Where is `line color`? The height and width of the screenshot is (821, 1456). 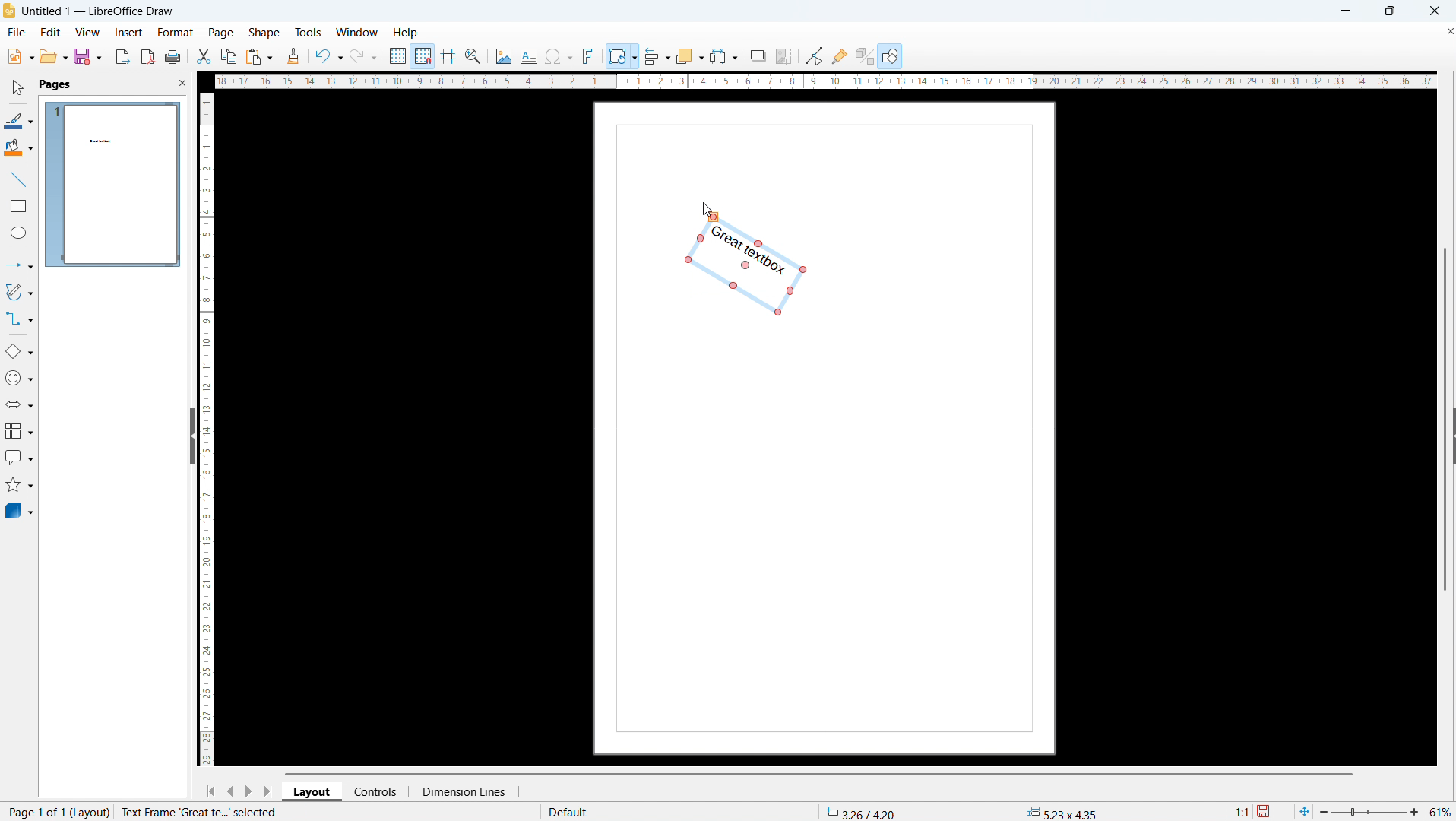
line color is located at coordinates (19, 119).